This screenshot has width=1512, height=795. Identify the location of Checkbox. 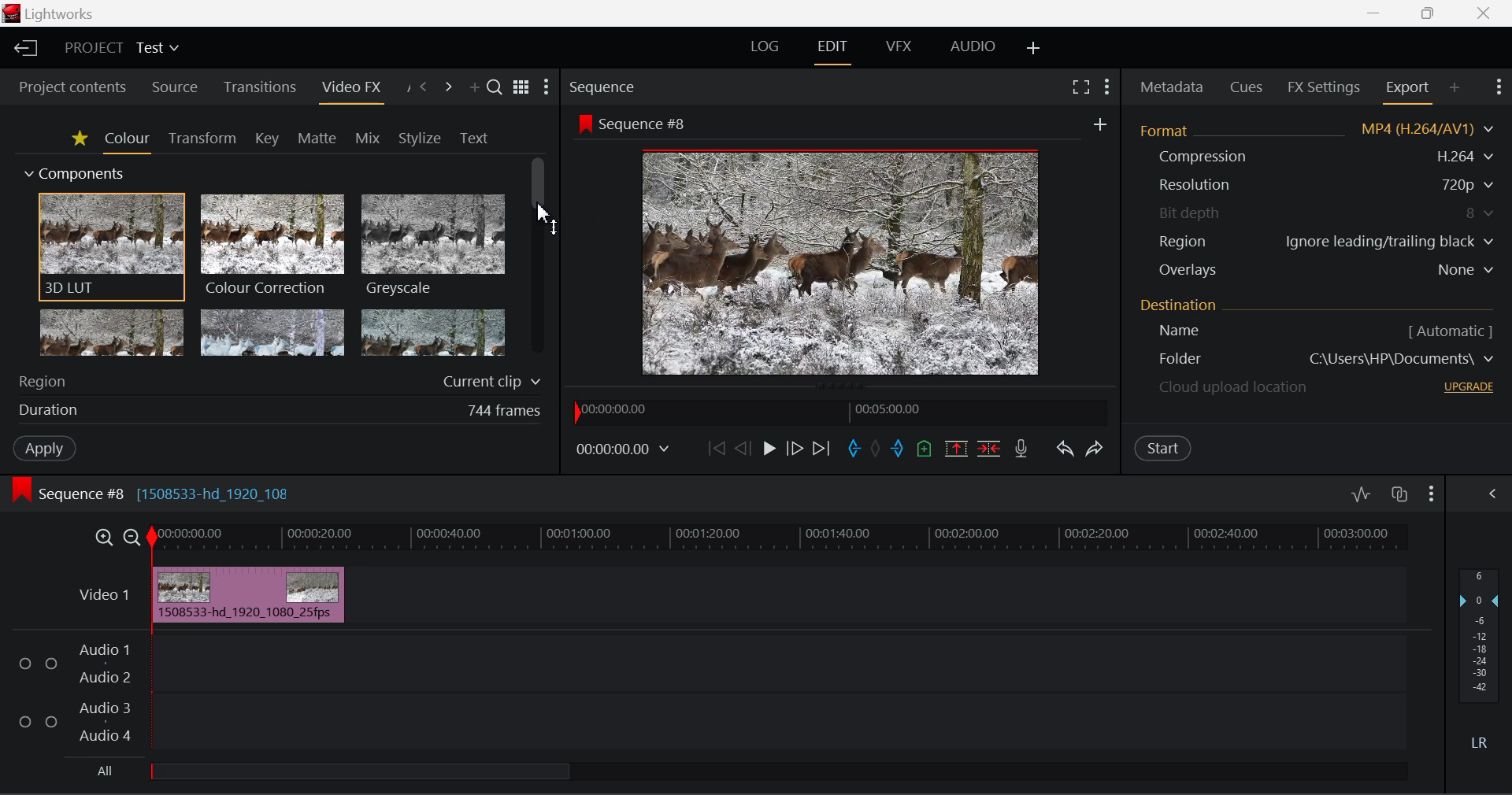
(50, 720).